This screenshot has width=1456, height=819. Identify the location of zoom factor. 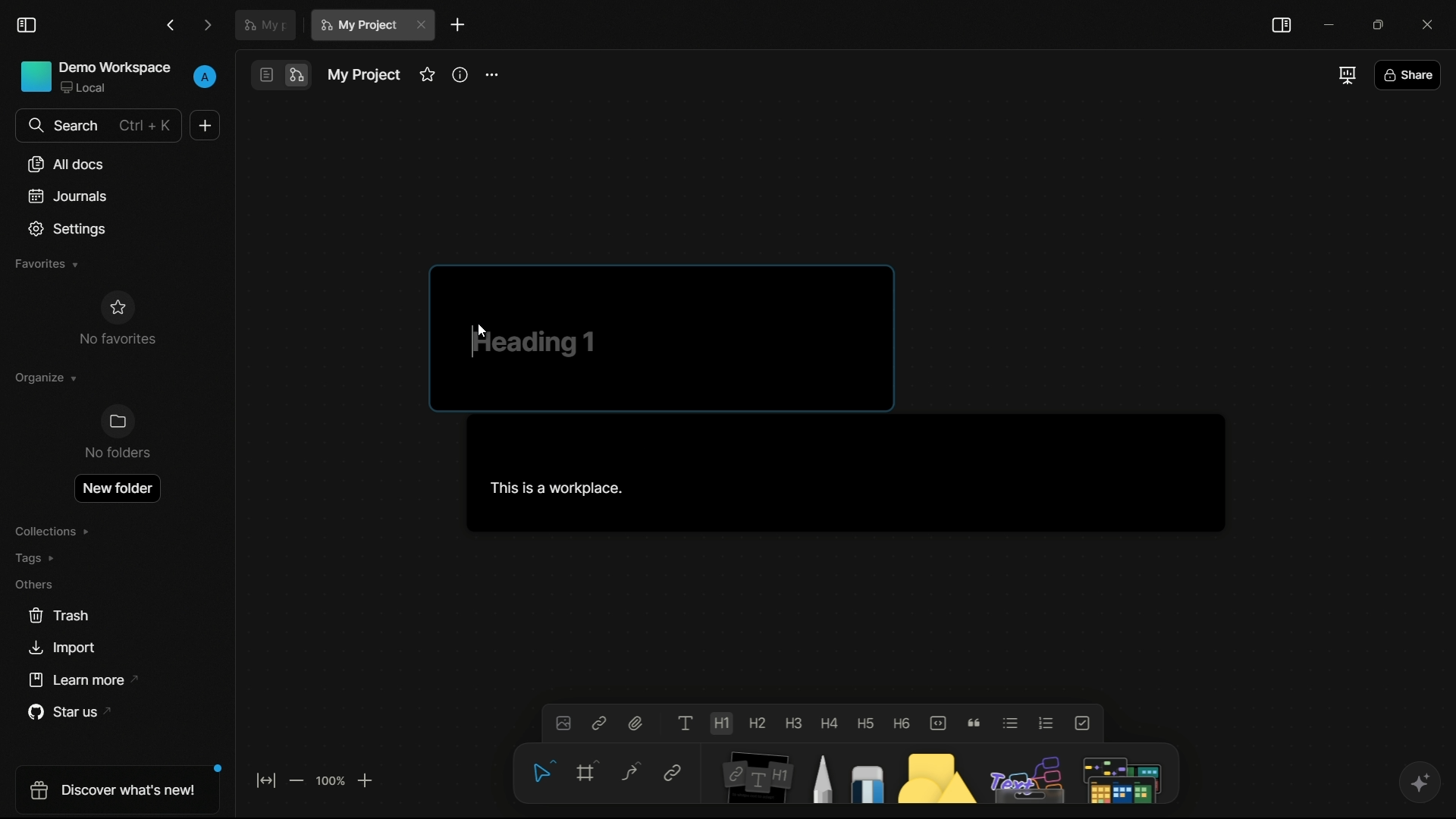
(330, 782).